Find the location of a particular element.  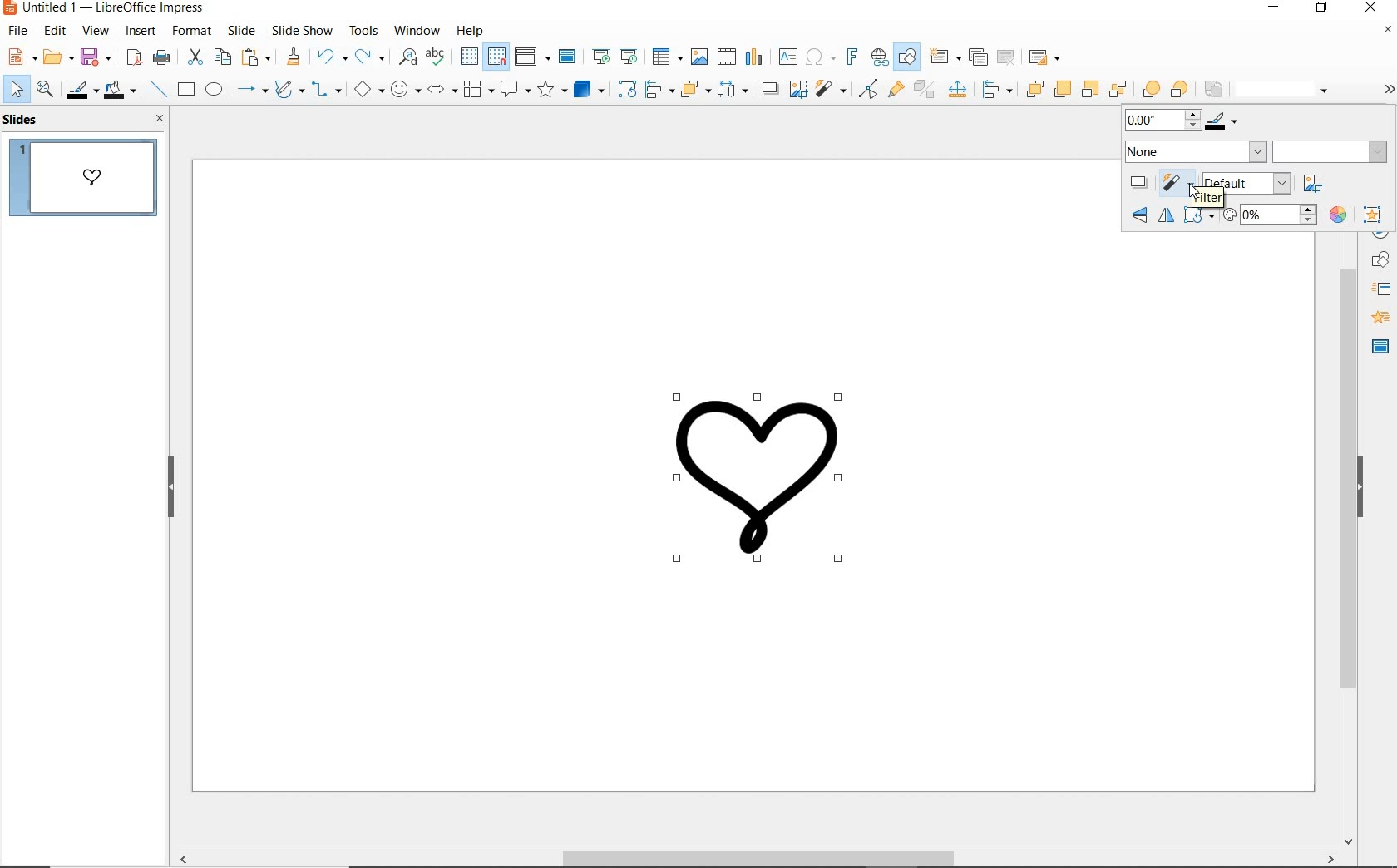

crop image is located at coordinates (797, 89).